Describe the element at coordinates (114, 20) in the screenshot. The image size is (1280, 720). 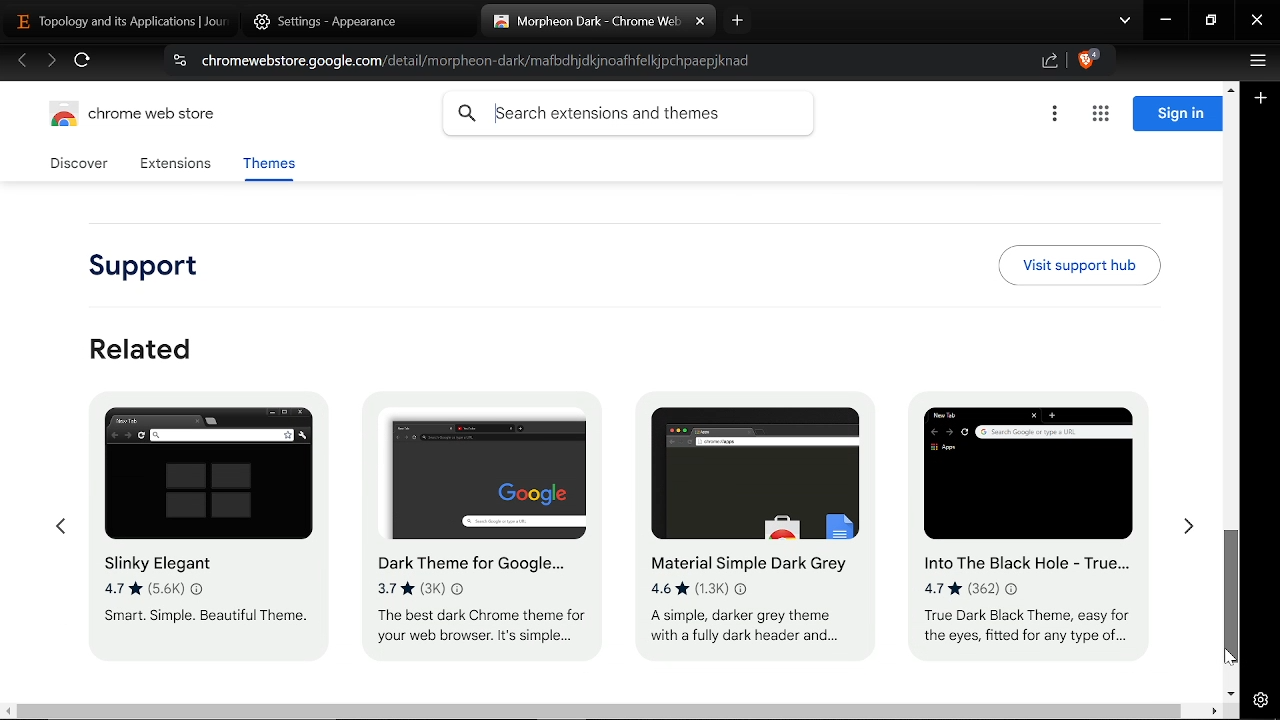
I see `Current tab` at that location.